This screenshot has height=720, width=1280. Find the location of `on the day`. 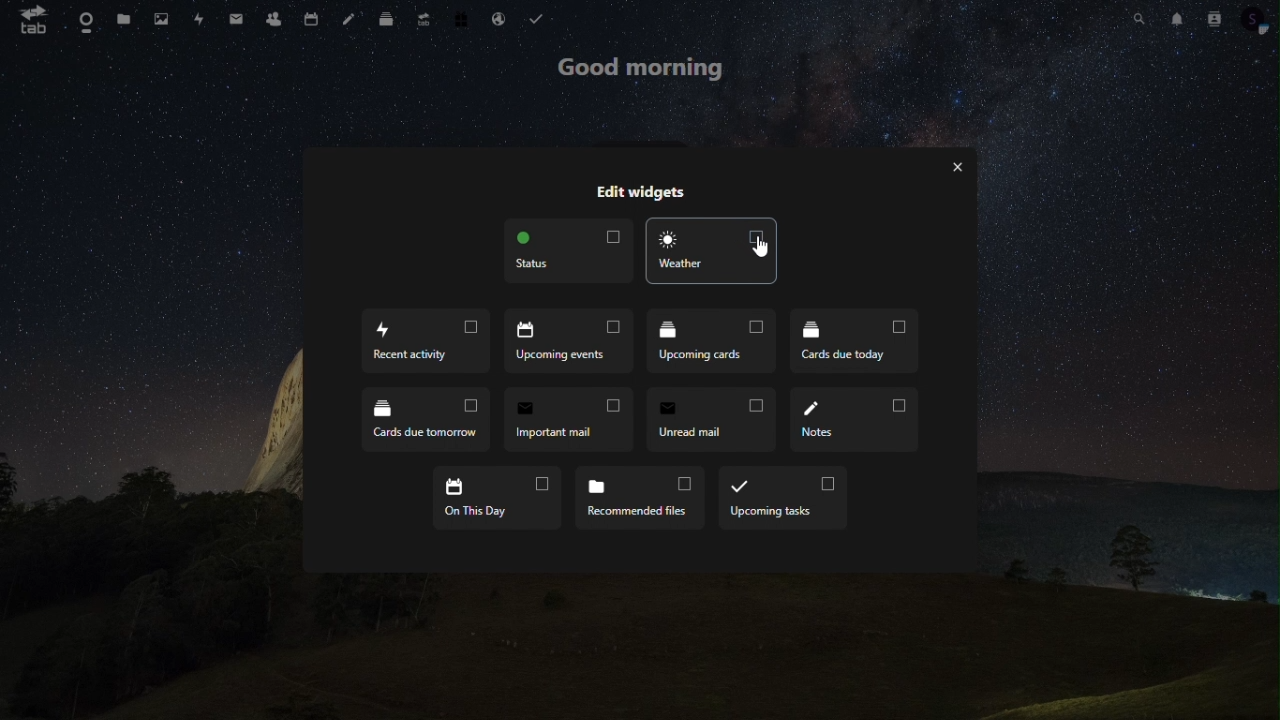

on the day is located at coordinates (496, 496).